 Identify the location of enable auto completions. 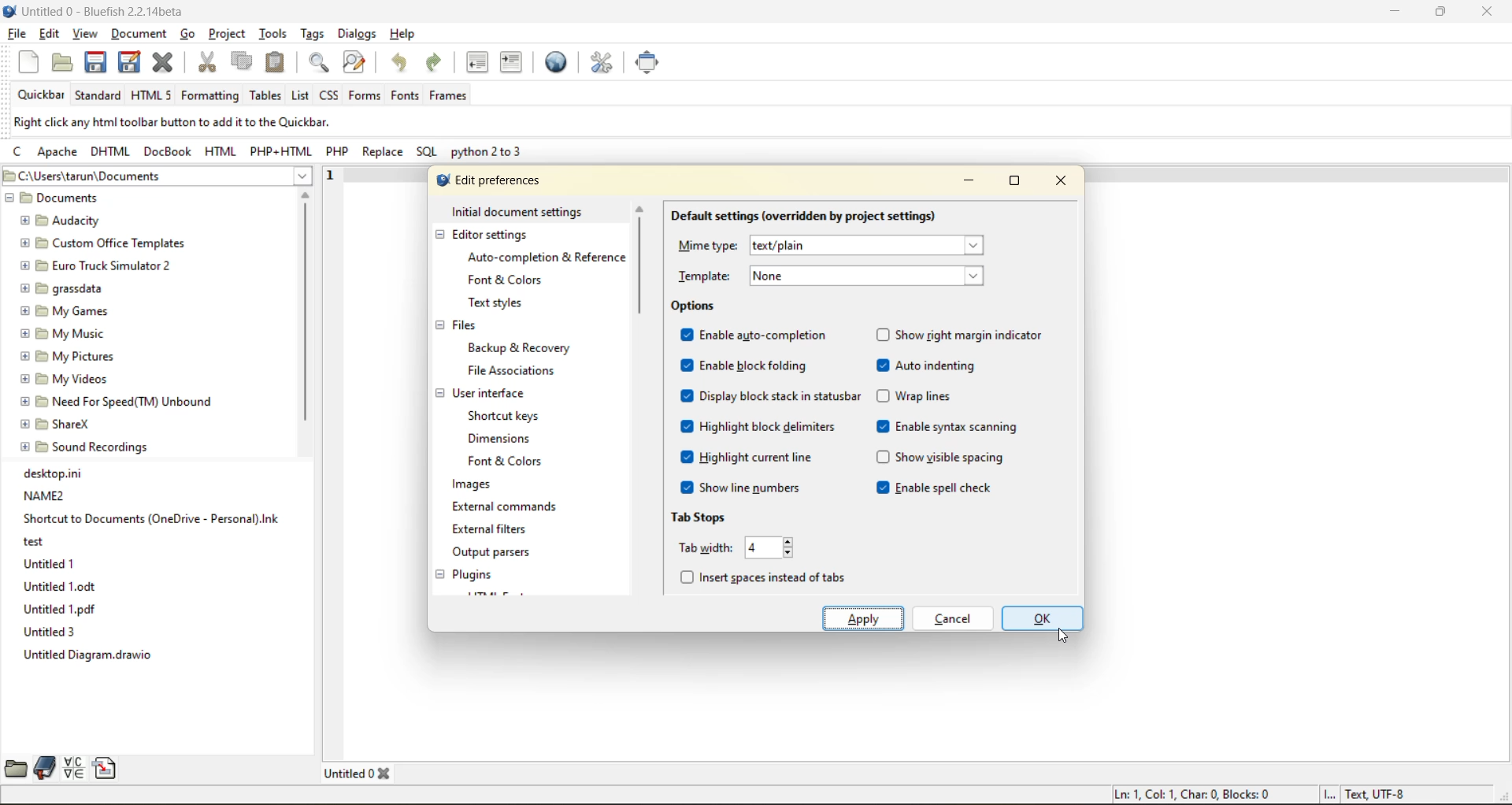
(758, 335).